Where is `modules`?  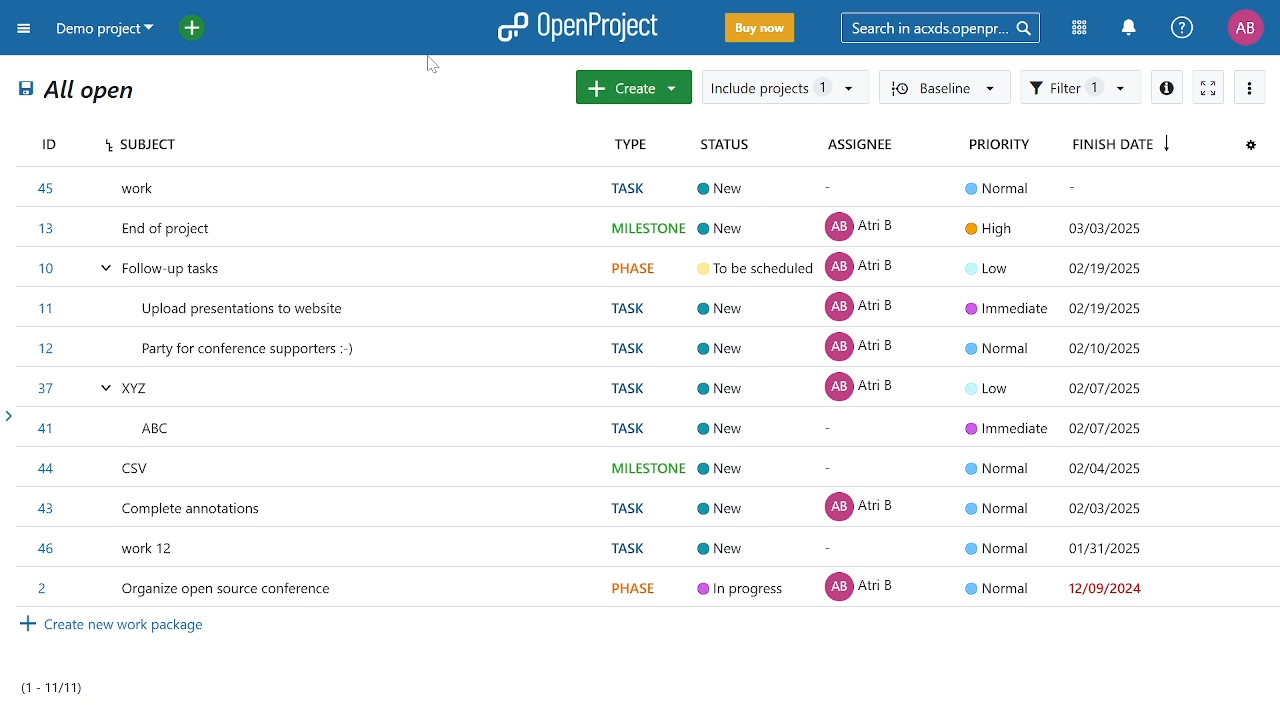 modules is located at coordinates (1082, 29).